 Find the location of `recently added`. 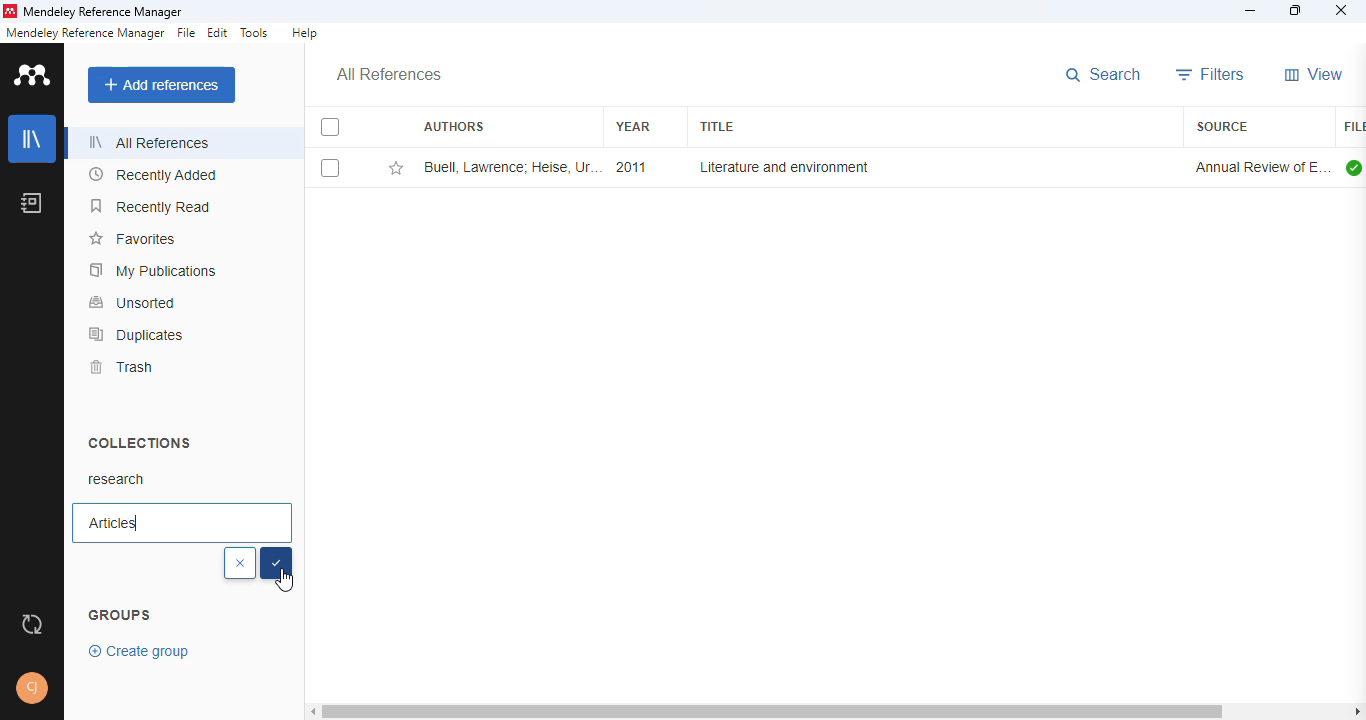

recently added is located at coordinates (153, 174).